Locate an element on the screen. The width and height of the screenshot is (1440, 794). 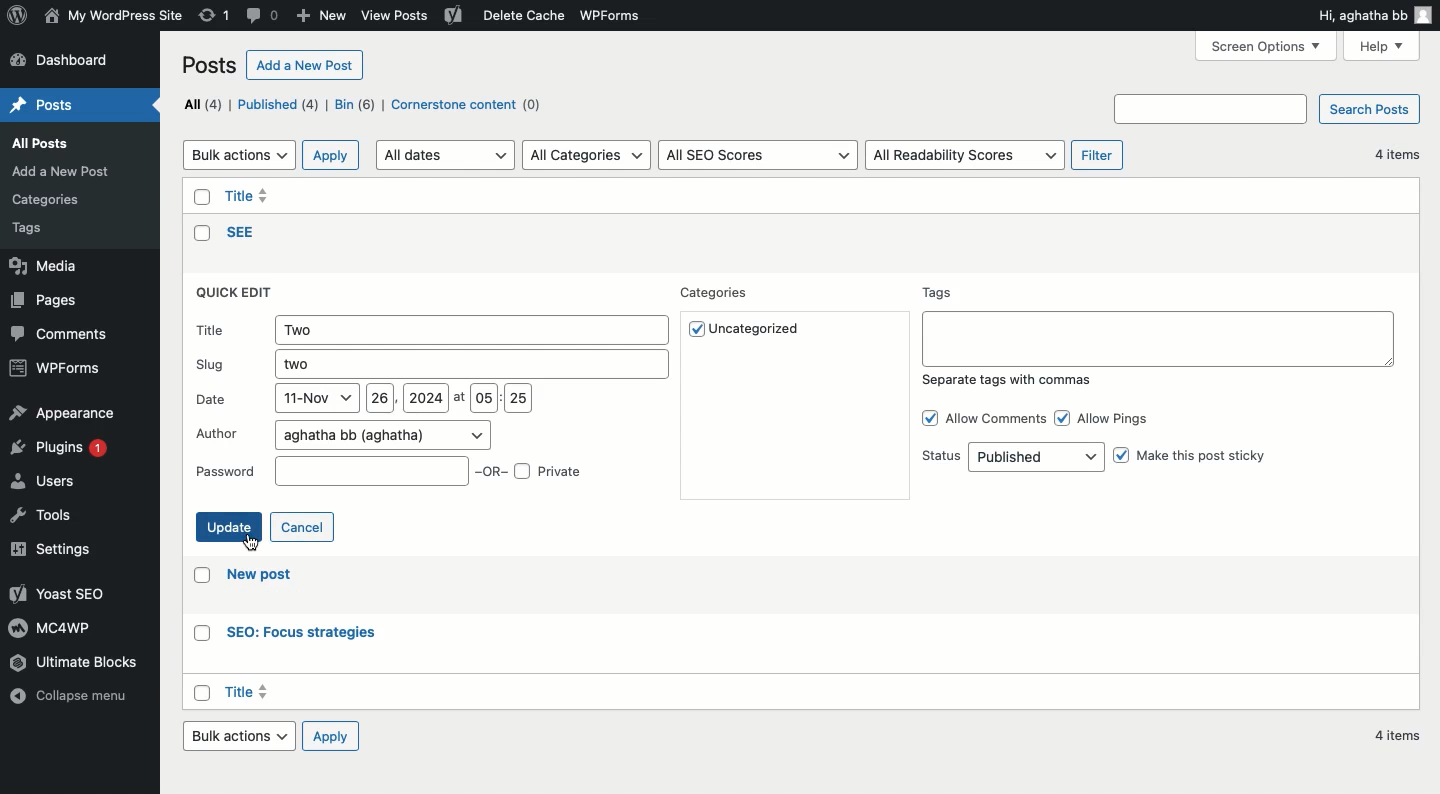
Dashboard is located at coordinates (67, 61).